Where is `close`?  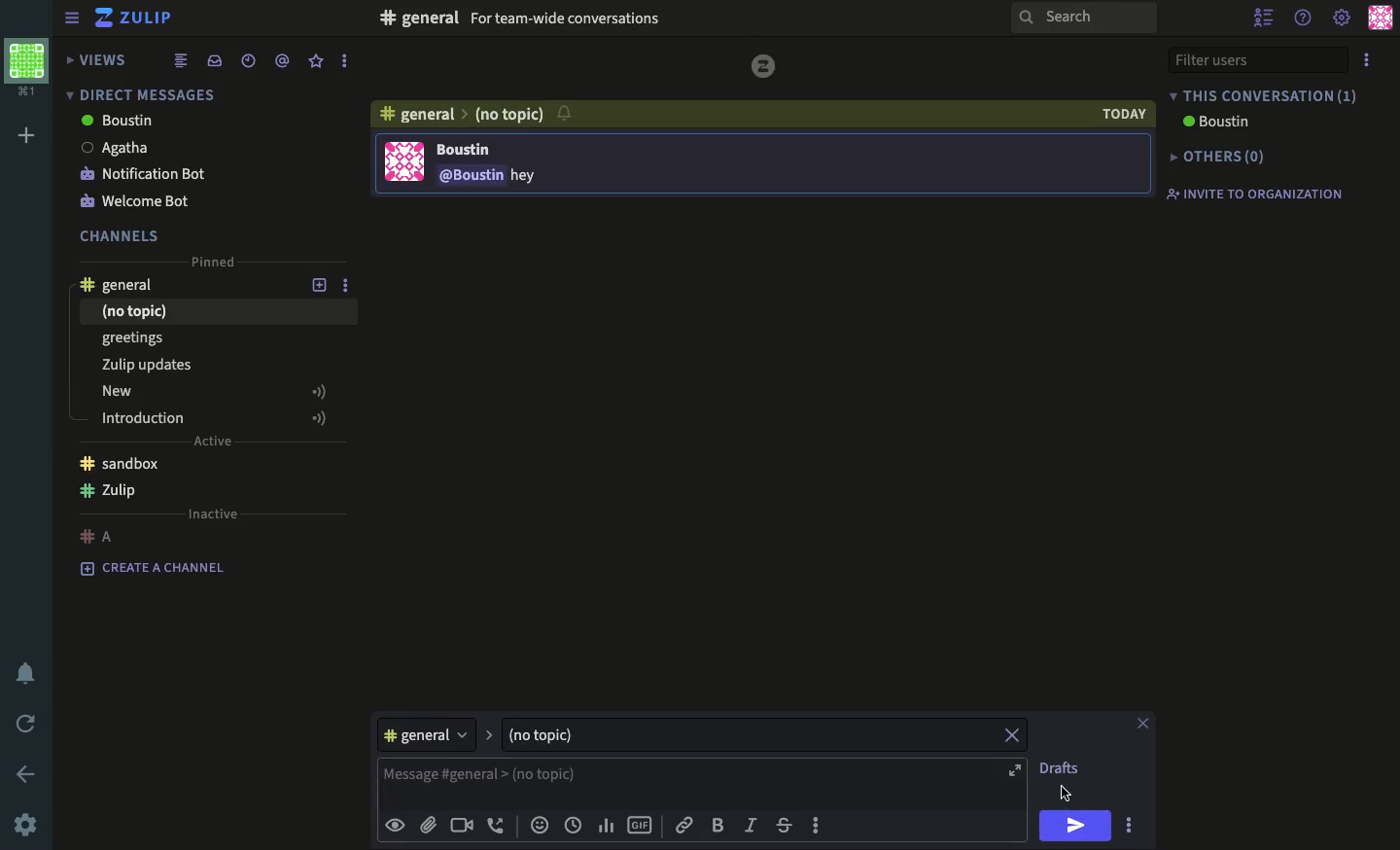 close is located at coordinates (1012, 734).